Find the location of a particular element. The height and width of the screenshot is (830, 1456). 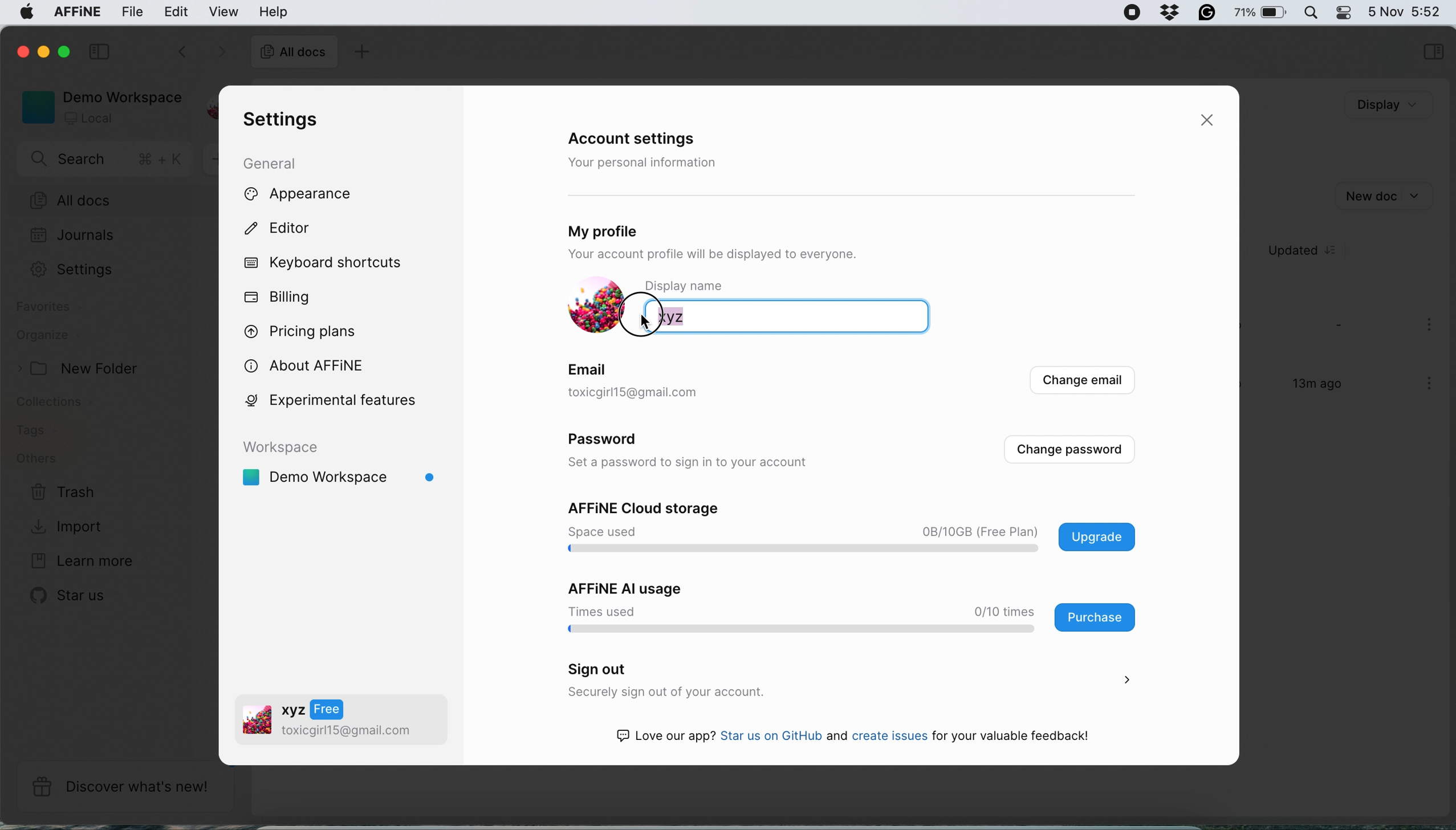

billing is located at coordinates (279, 298).